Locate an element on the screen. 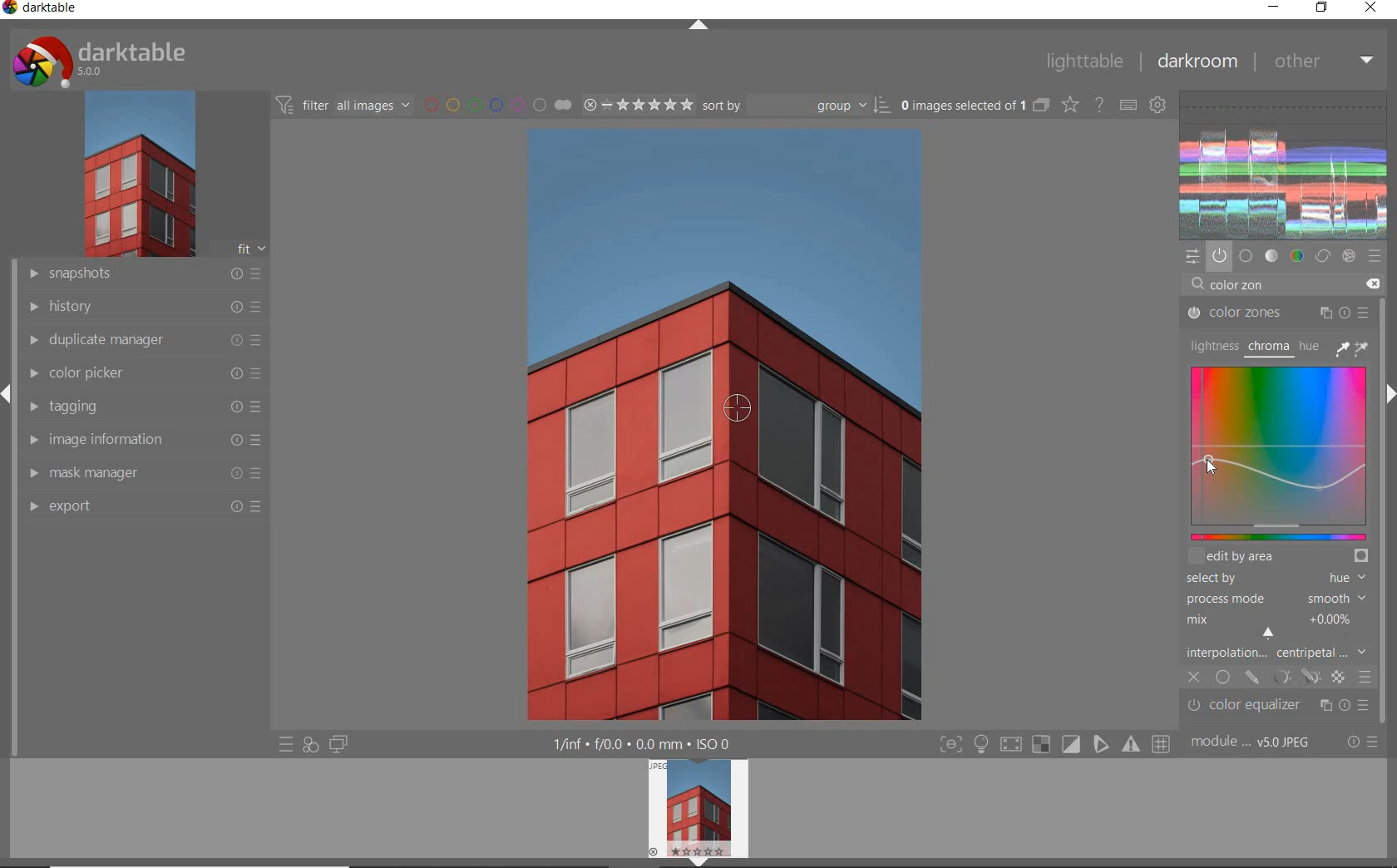 The width and height of the screenshot is (1397, 868). filter all images is located at coordinates (344, 105).